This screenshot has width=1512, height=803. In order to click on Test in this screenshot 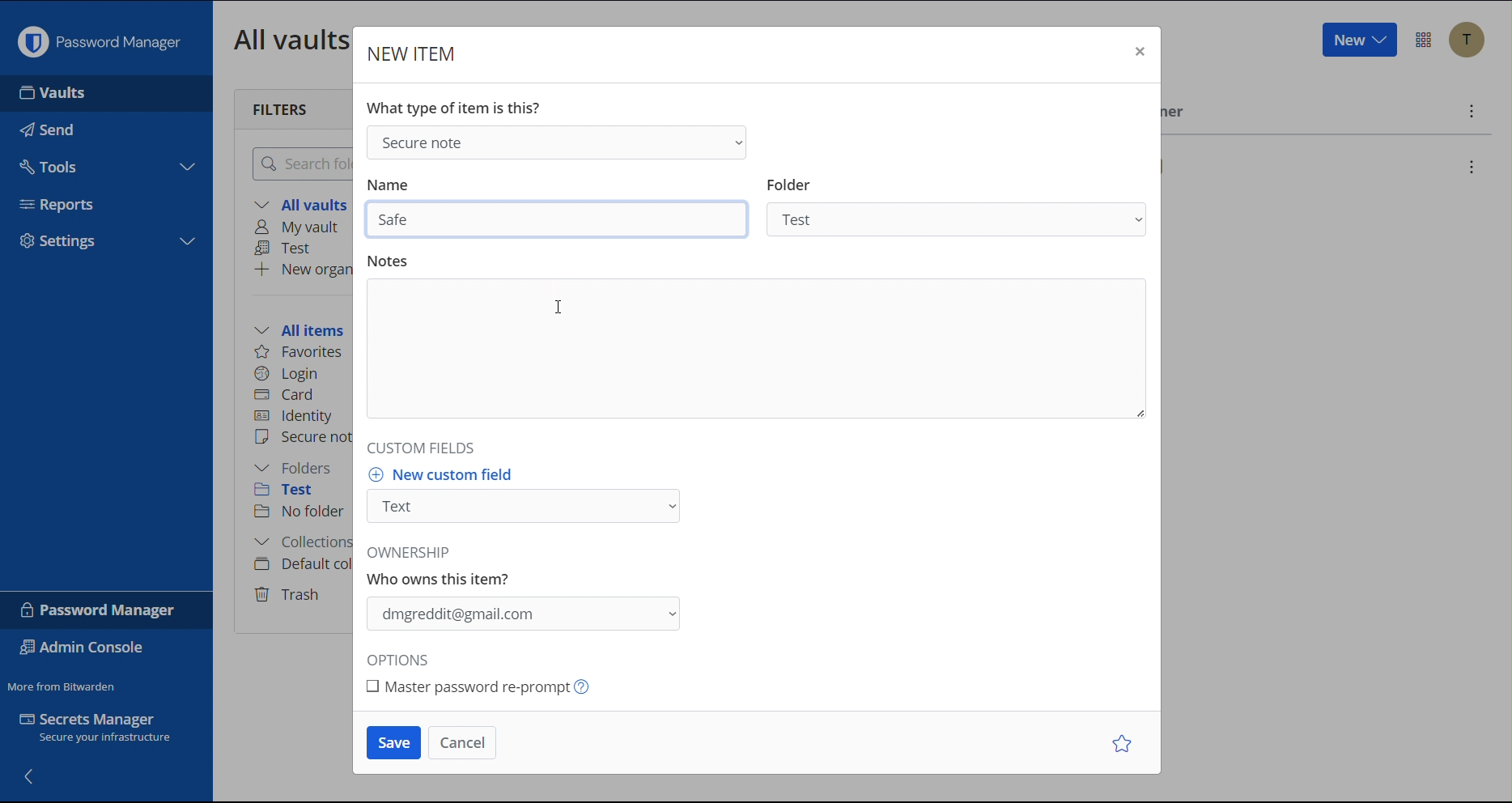, I will do `click(287, 249)`.